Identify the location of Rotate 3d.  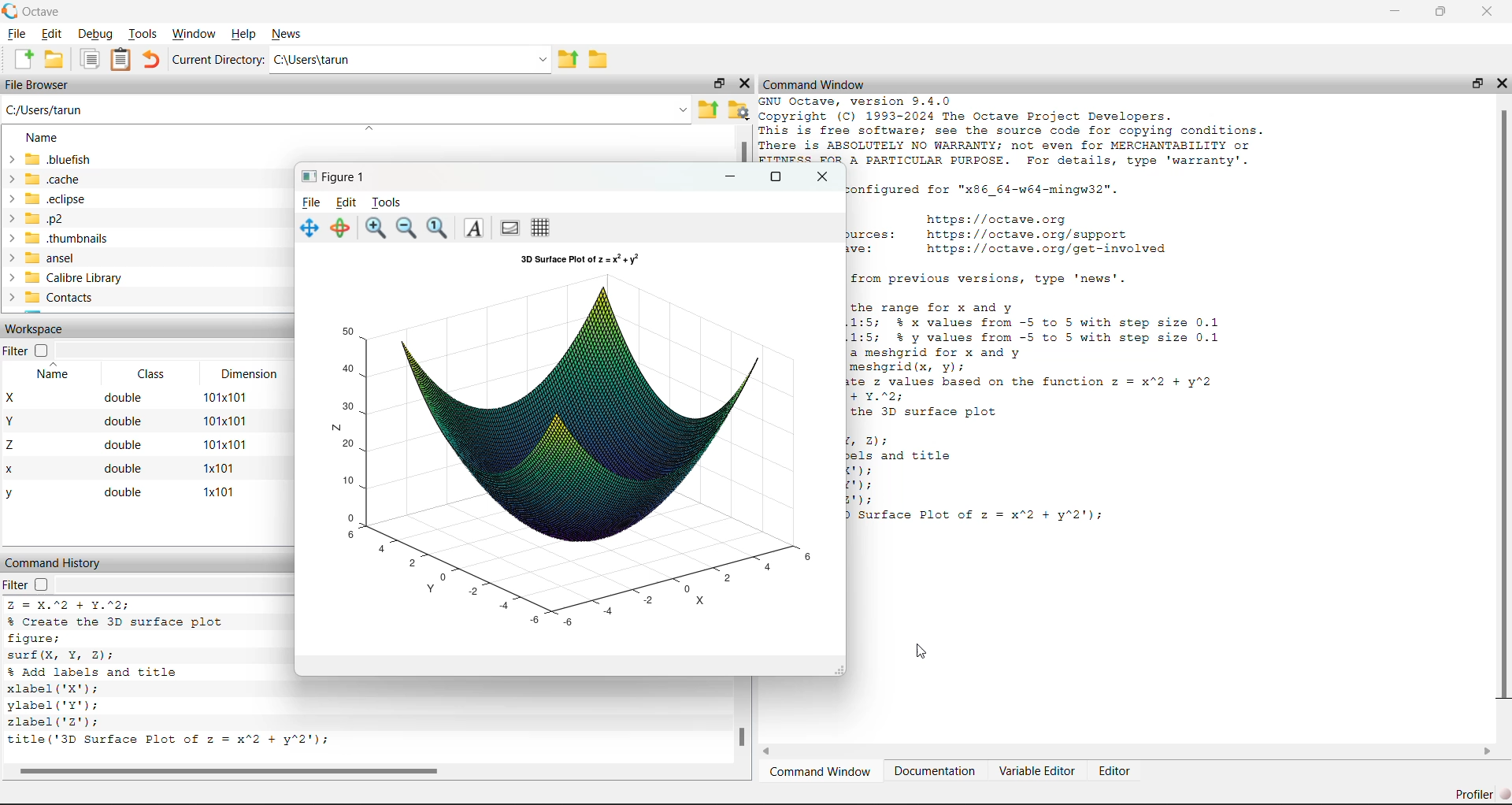
(343, 228).